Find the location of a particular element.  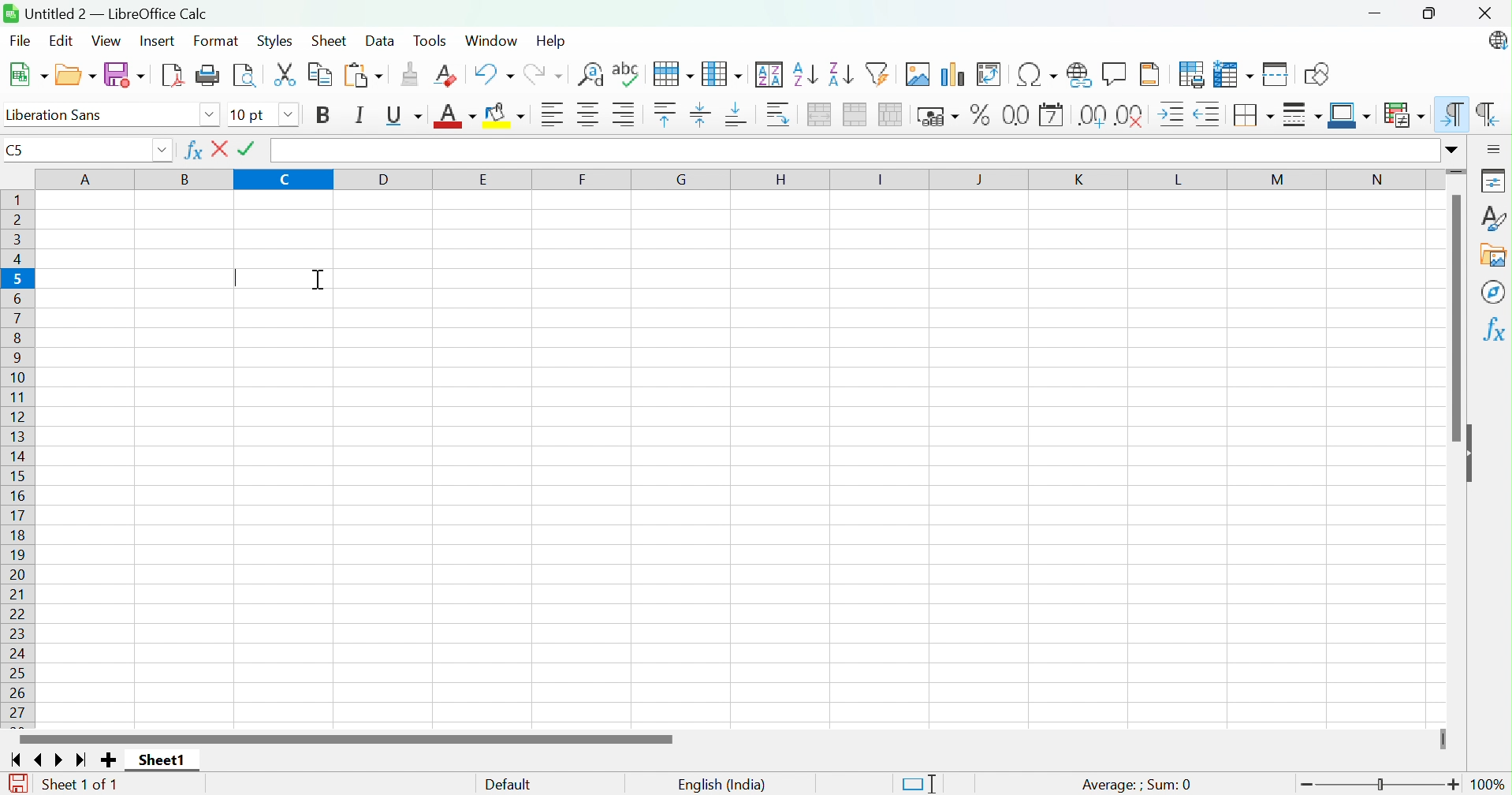

Restore down is located at coordinates (1430, 15).